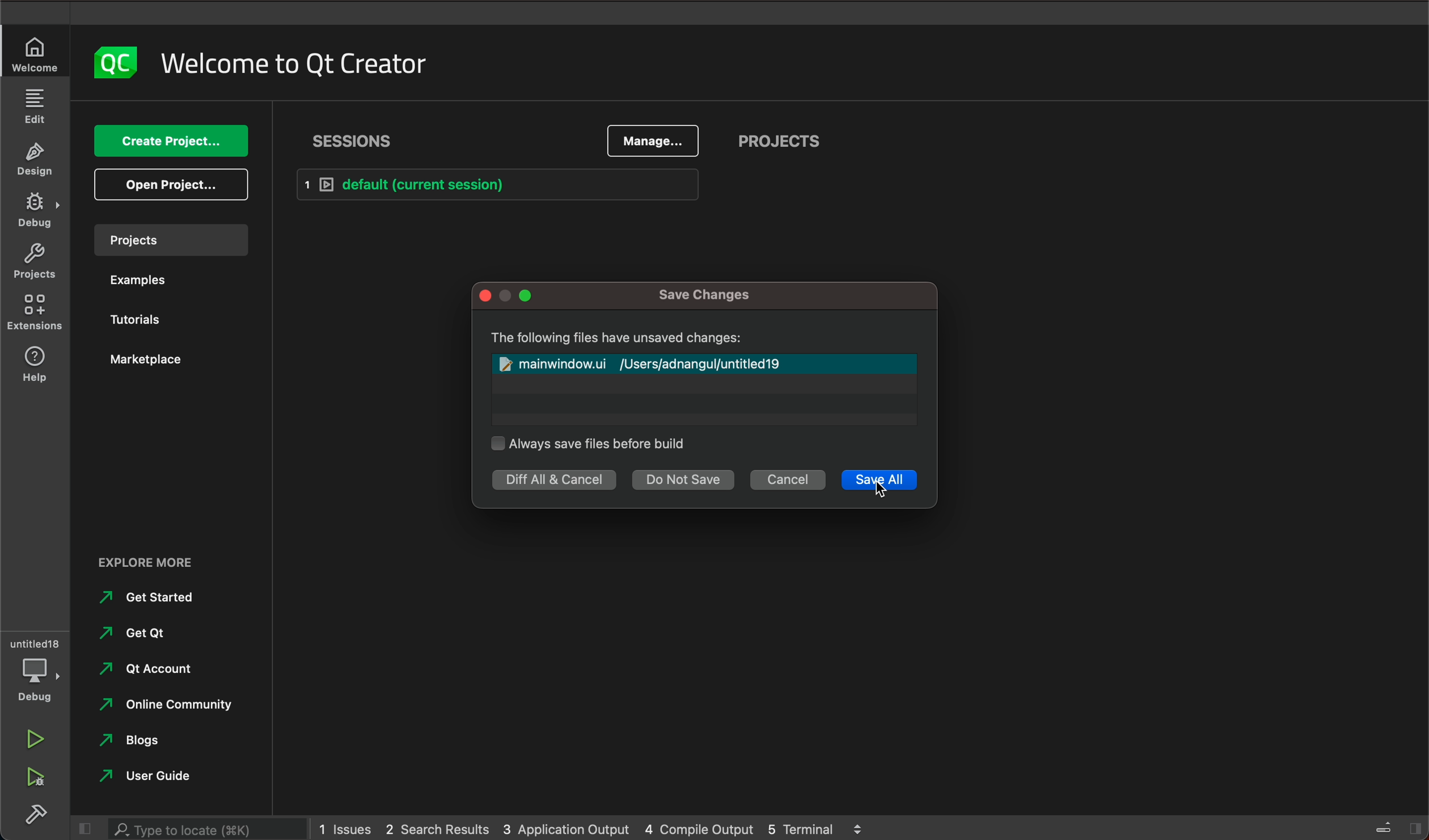  Describe the element at coordinates (34, 54) in the screenshot. I see `welcome` at that location.